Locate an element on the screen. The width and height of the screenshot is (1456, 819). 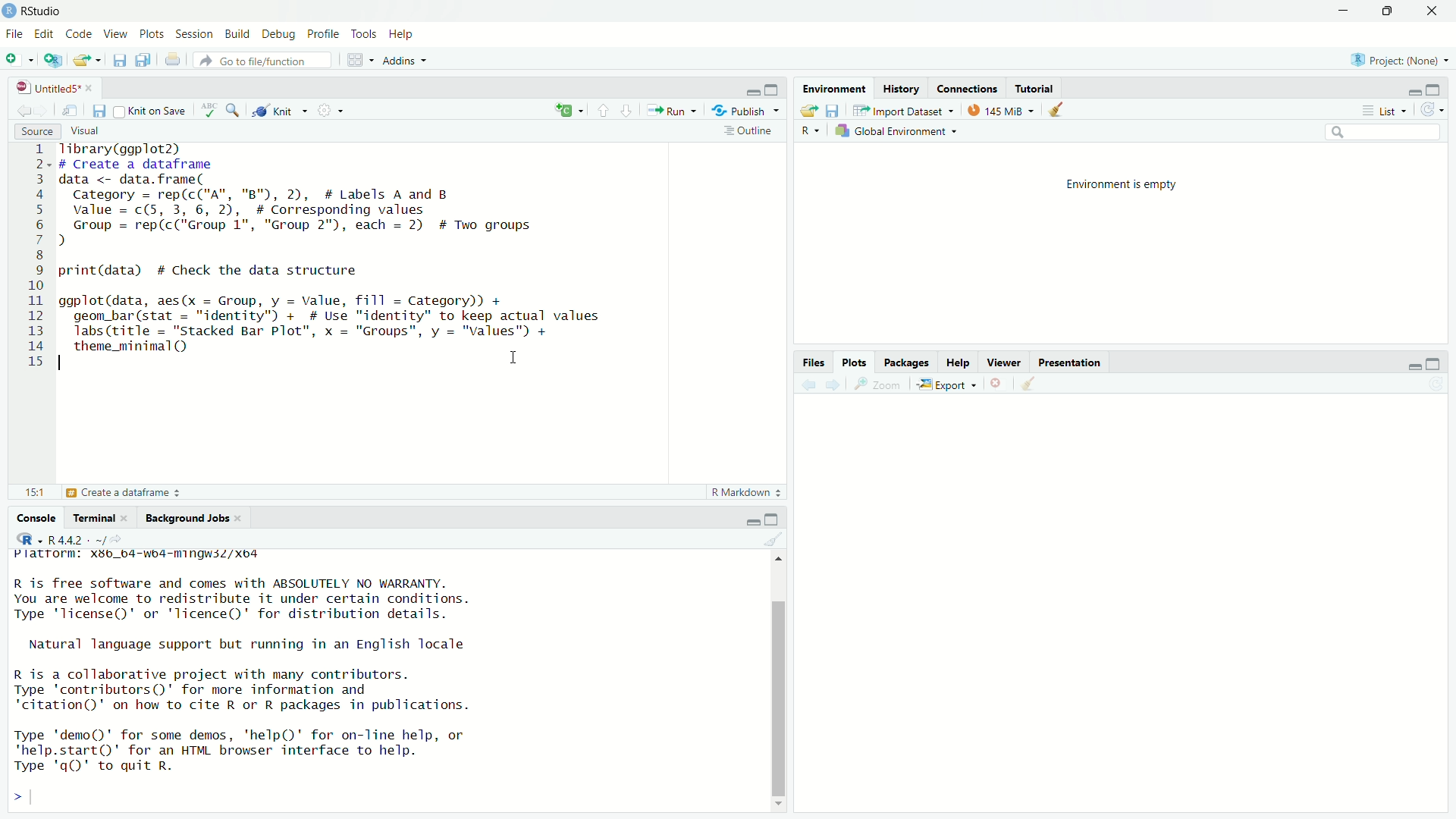
kib used by R session (Source: Windows System) is located at coordinates (1001, 109).